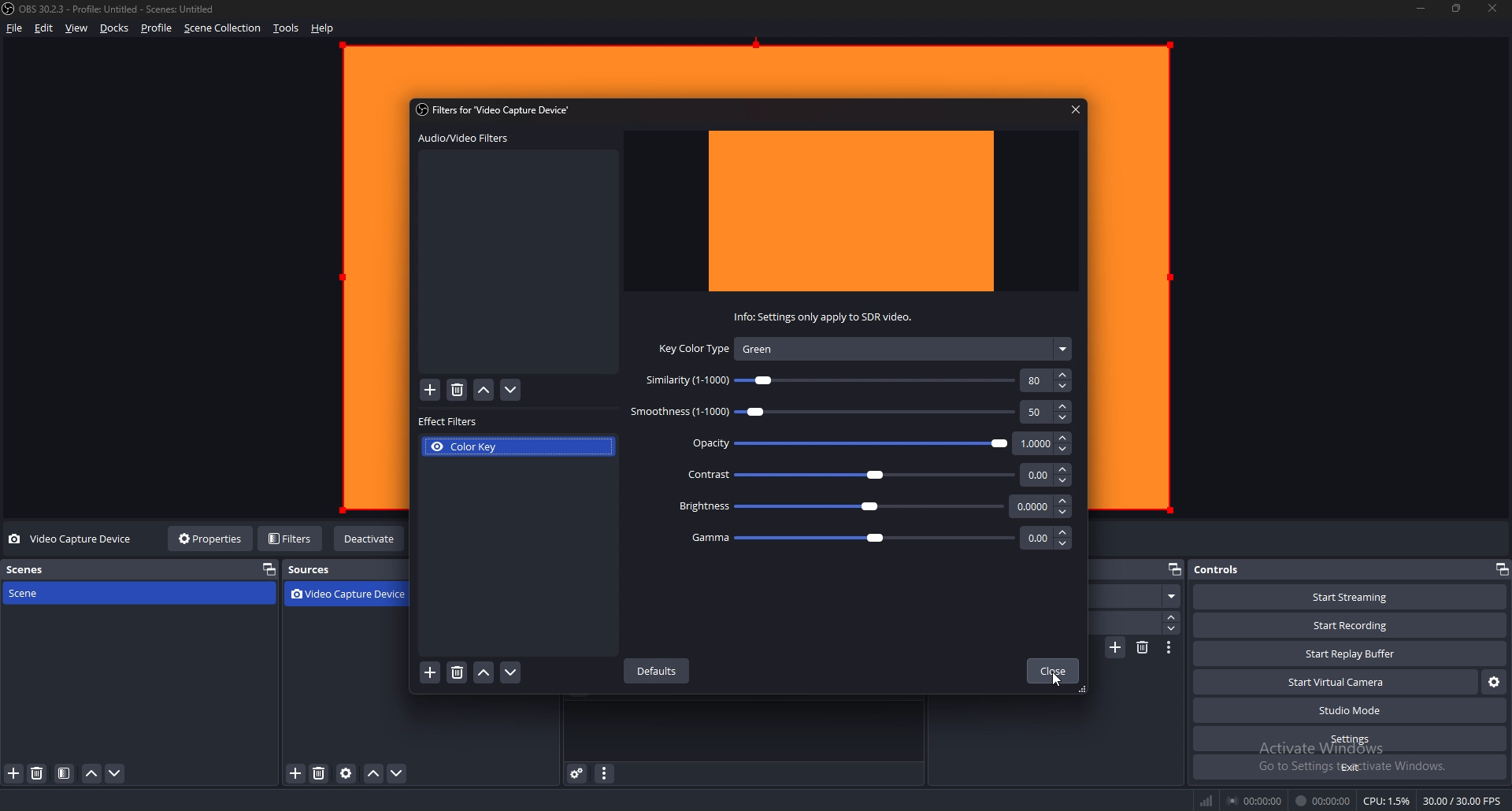  What do you see at coordinates (431, 673) in the screenshot?
I see `add filter` at bounding box center [431, 673].